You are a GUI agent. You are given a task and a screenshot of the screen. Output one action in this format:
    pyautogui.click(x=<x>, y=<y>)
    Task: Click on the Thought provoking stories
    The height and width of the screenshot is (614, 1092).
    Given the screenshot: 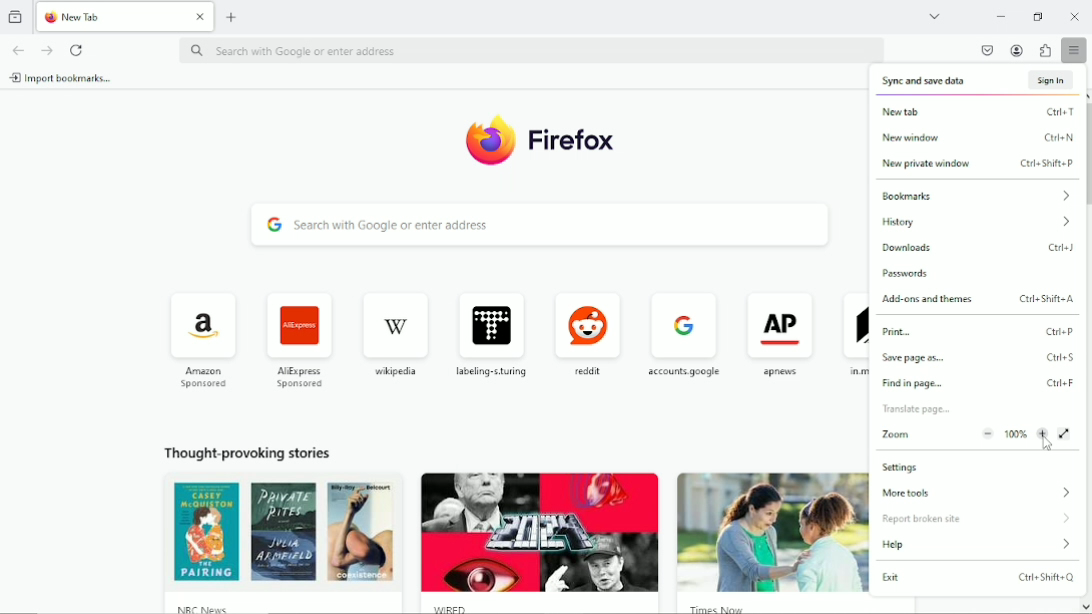 What is the action you would take?
    pyautogui.click(x=226, y=452)
    